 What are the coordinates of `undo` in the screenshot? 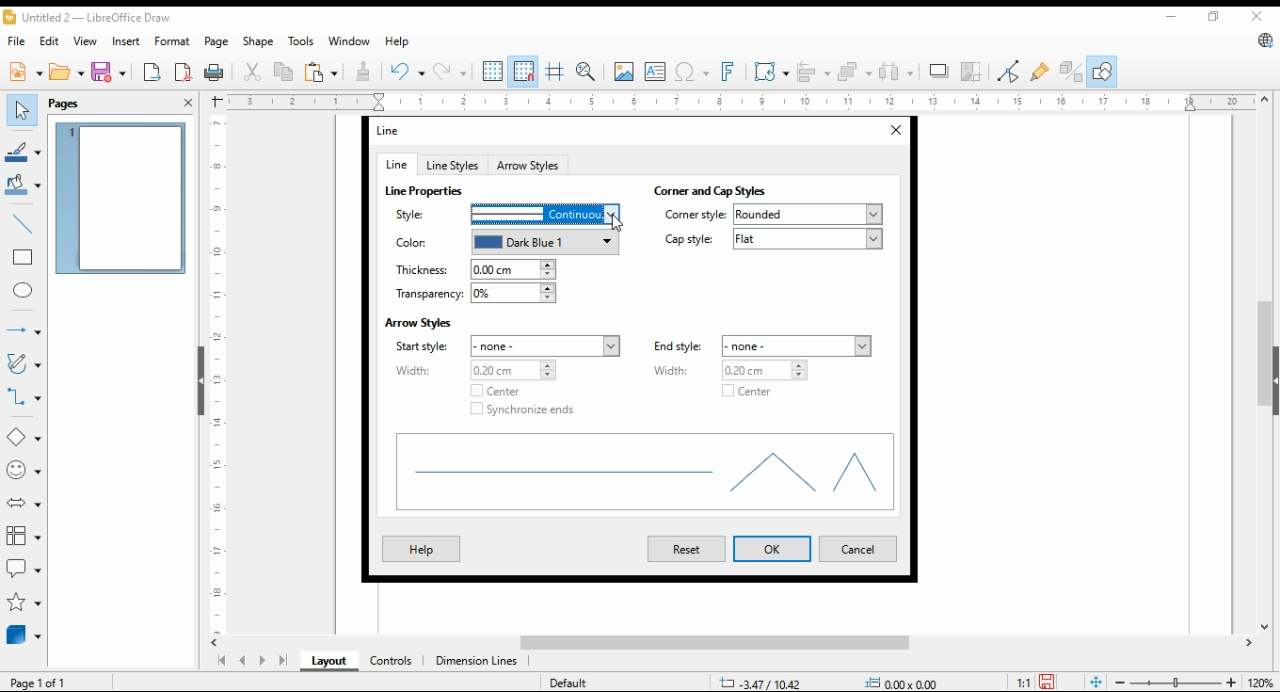 It's located at (408, 70).